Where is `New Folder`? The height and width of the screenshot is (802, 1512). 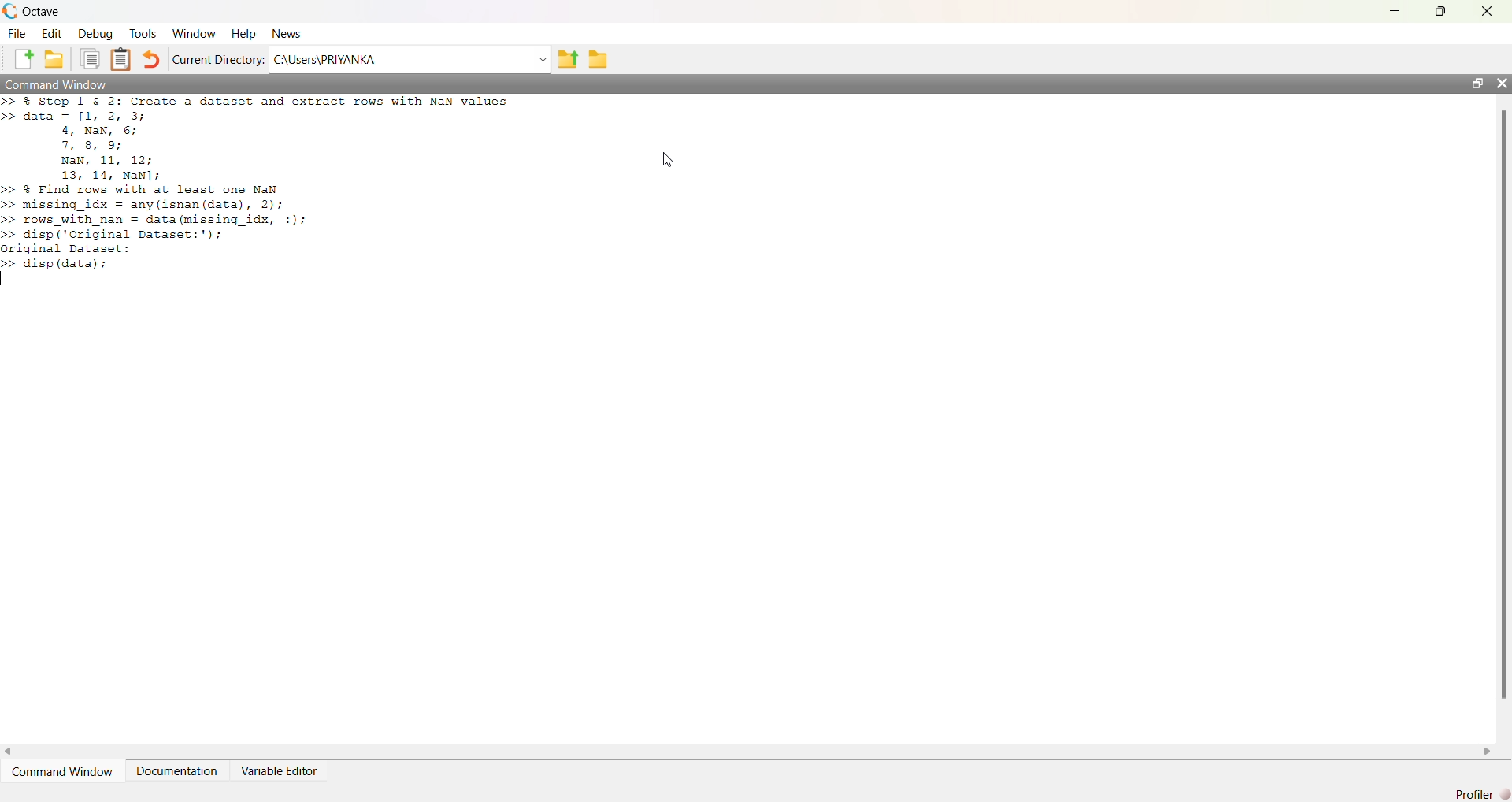
New Folder is located at coordinates (54, 59).